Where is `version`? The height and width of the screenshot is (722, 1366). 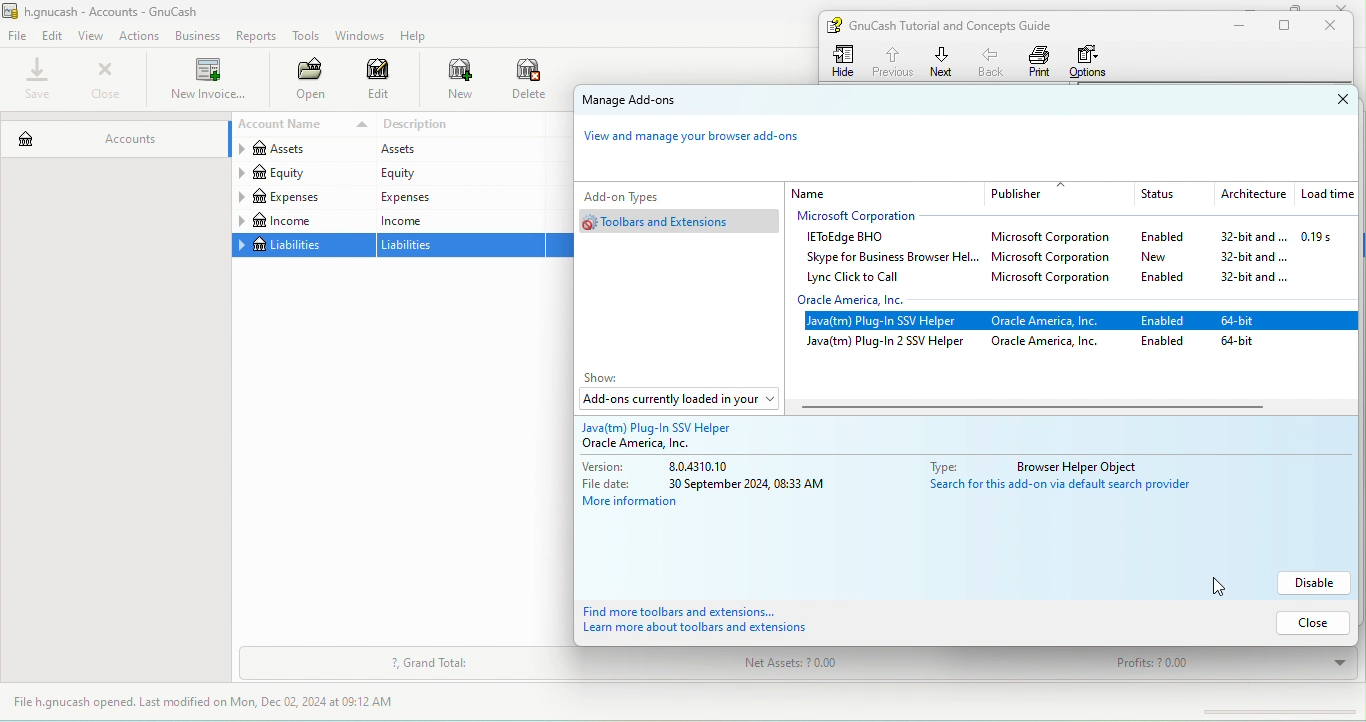 version is located at coordinates (674, 467).